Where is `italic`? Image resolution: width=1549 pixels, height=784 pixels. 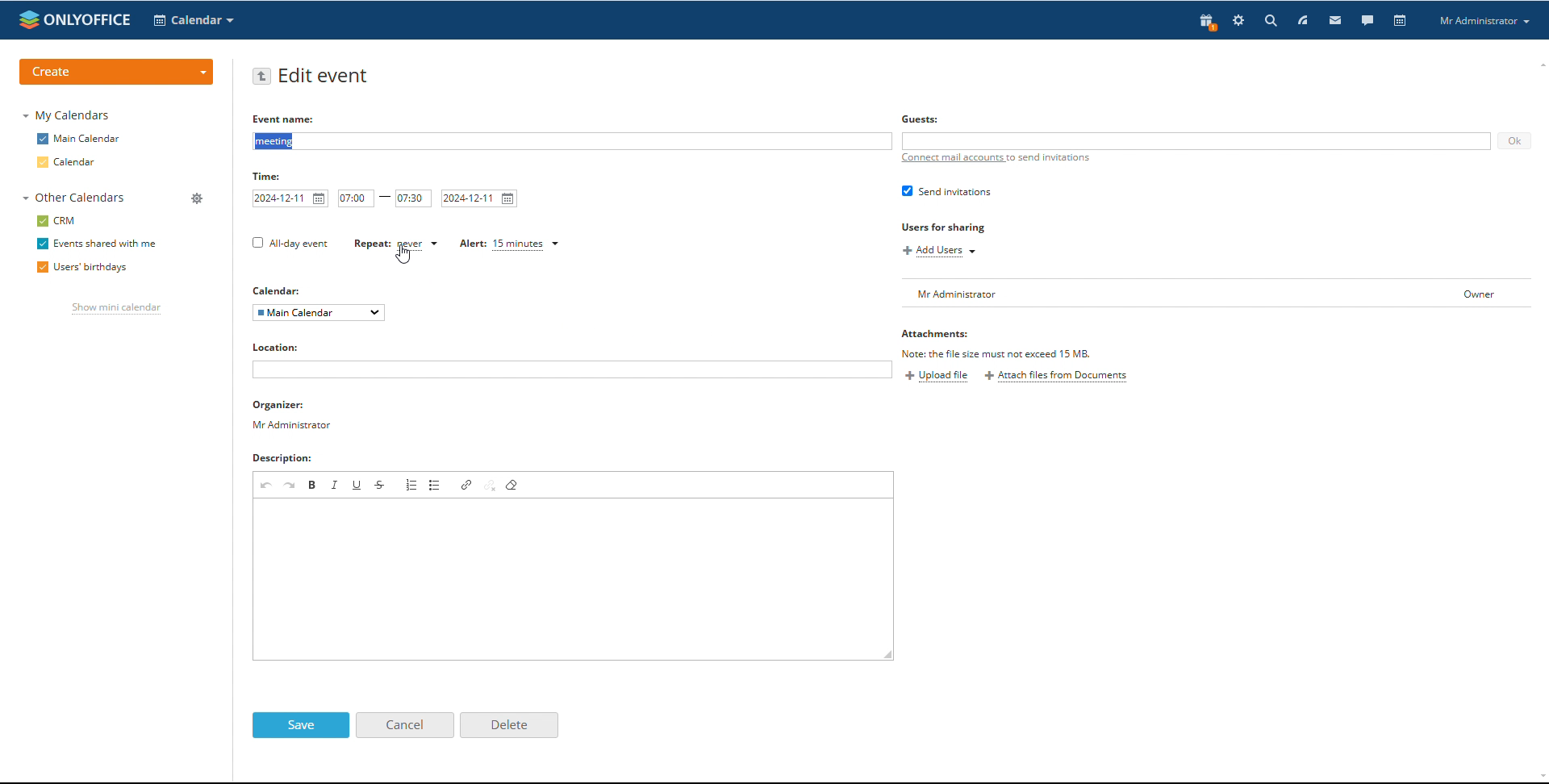
italic is located at coordinates (334, 485).